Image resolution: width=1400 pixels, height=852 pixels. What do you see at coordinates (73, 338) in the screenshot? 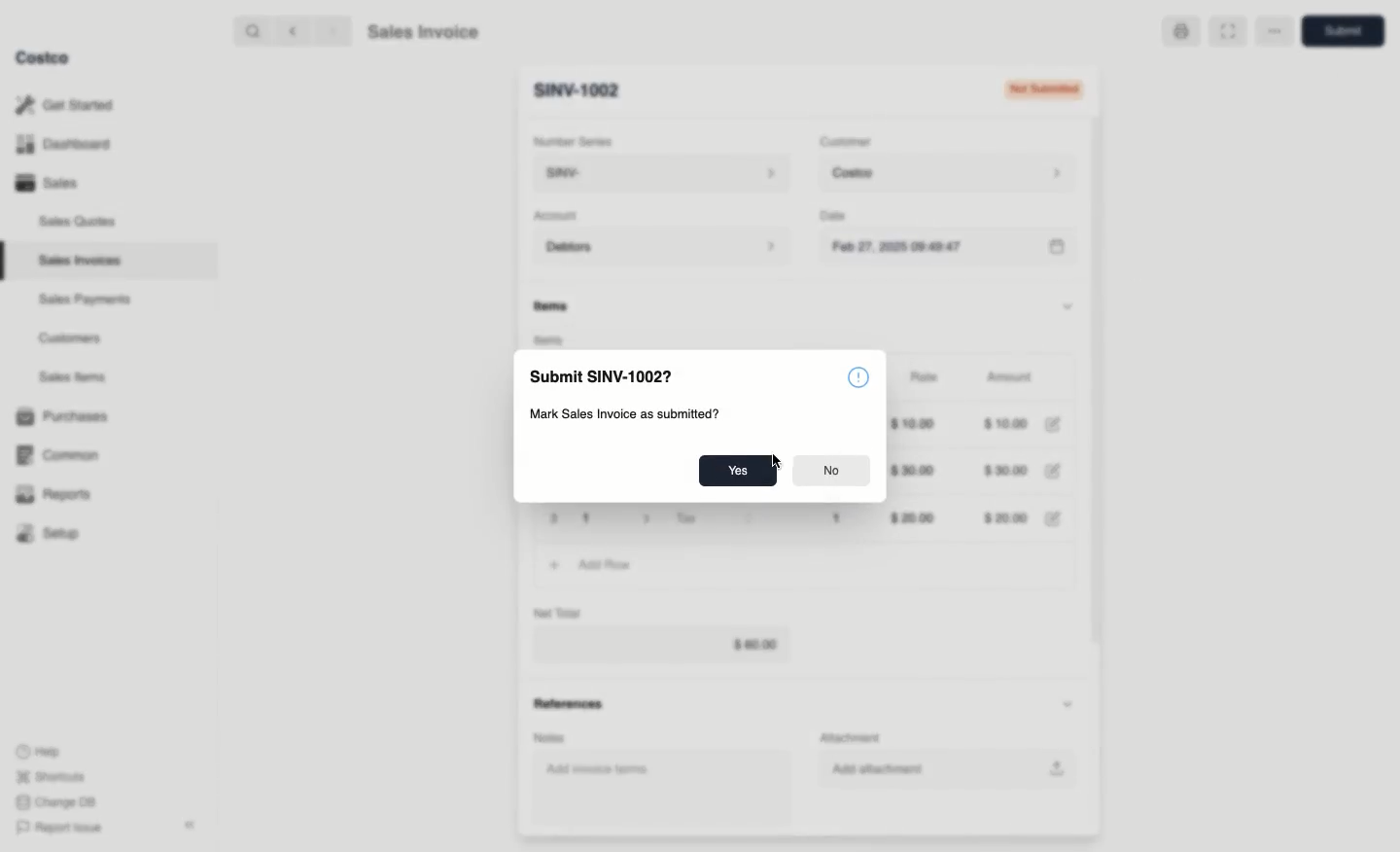
I see `Customers` at bounding box center [73, 338].